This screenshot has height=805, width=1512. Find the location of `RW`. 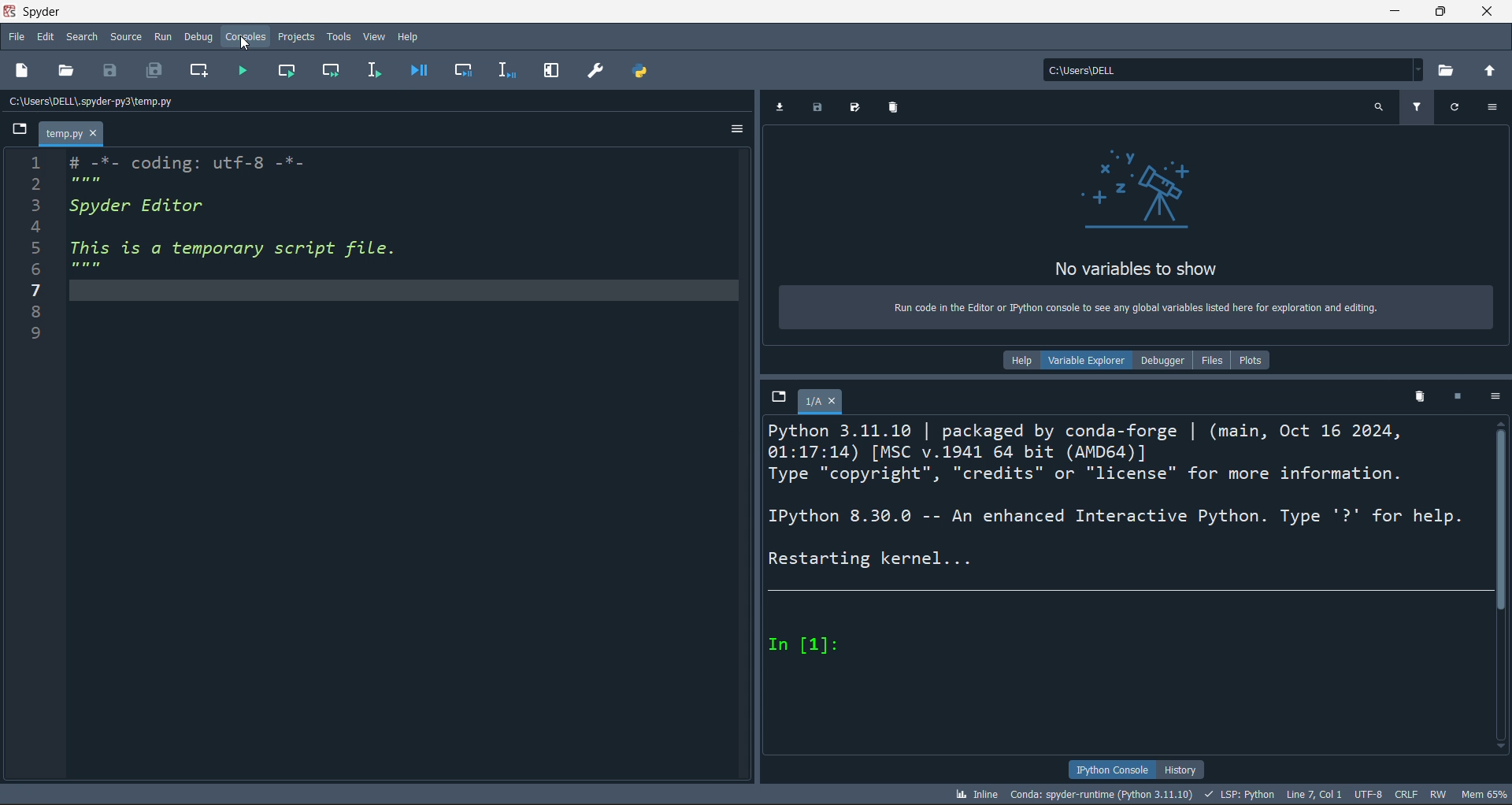

RW is located at coordinates (1438, 796).